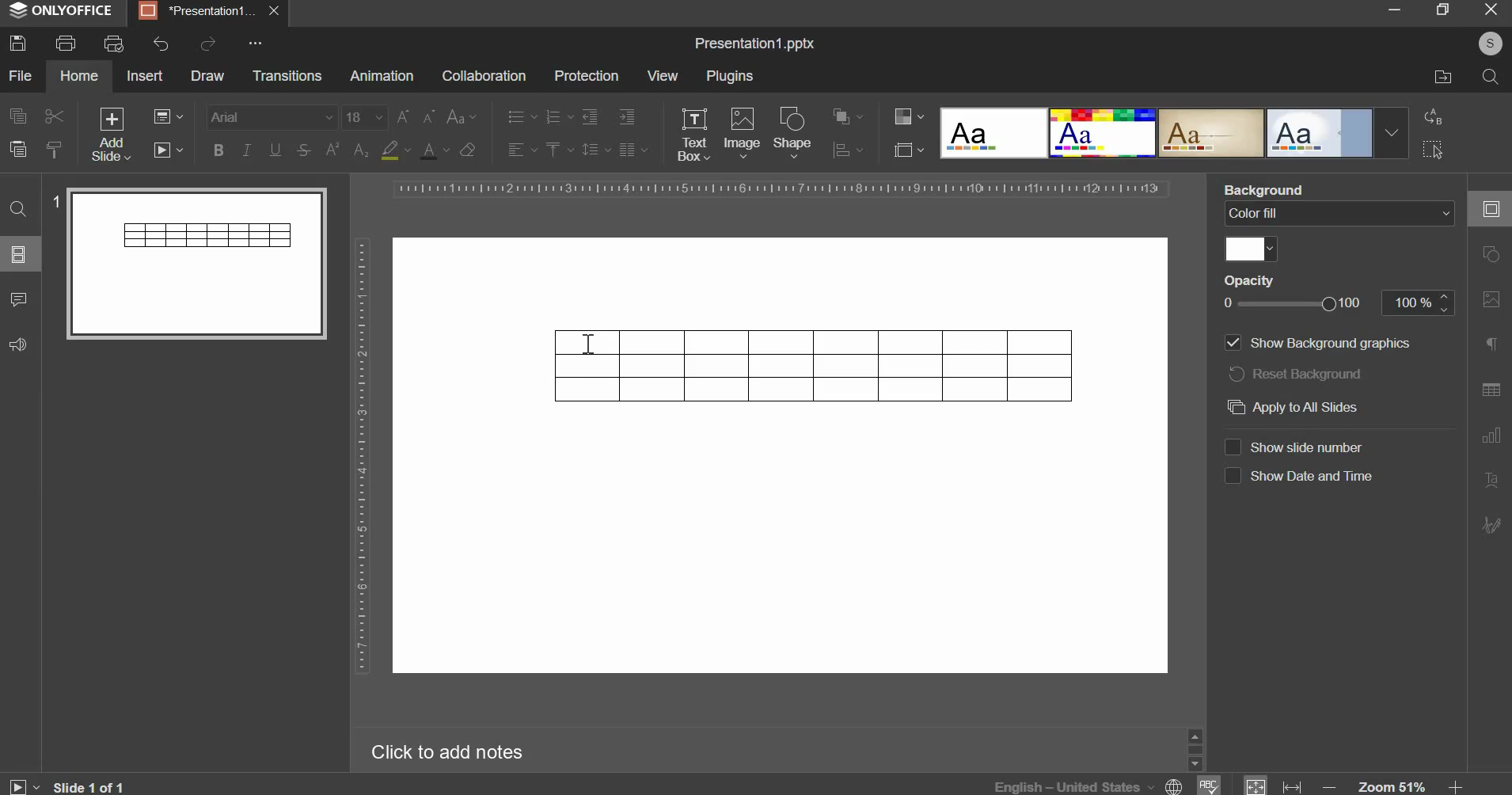 The width and height of the screenshot is (1512, 795). What do you see at coordinates (1433, 151) in the screenshot?
I see `select` at bounding box center [1433, 151].